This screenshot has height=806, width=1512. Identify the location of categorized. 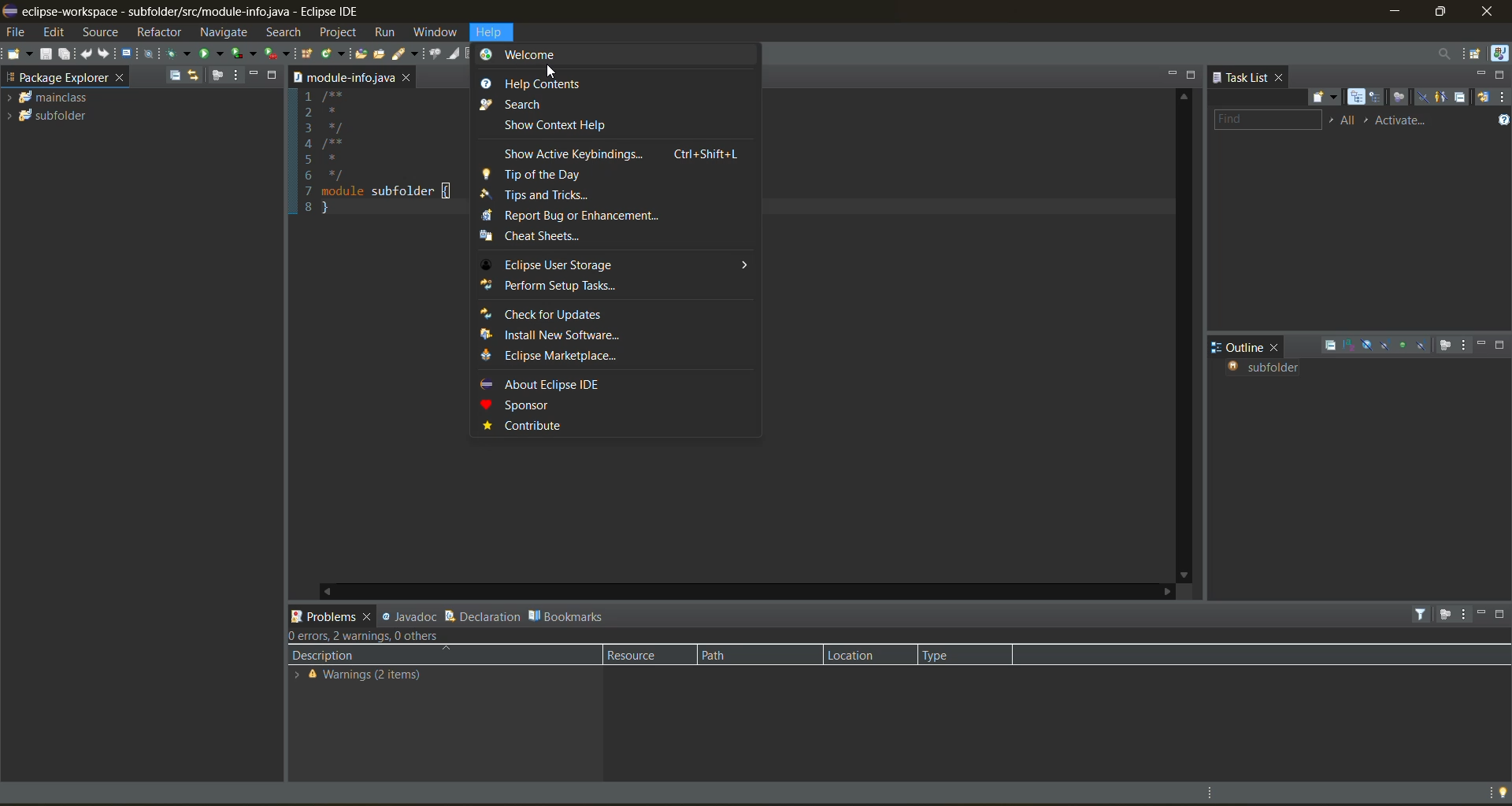
(1354, 97).